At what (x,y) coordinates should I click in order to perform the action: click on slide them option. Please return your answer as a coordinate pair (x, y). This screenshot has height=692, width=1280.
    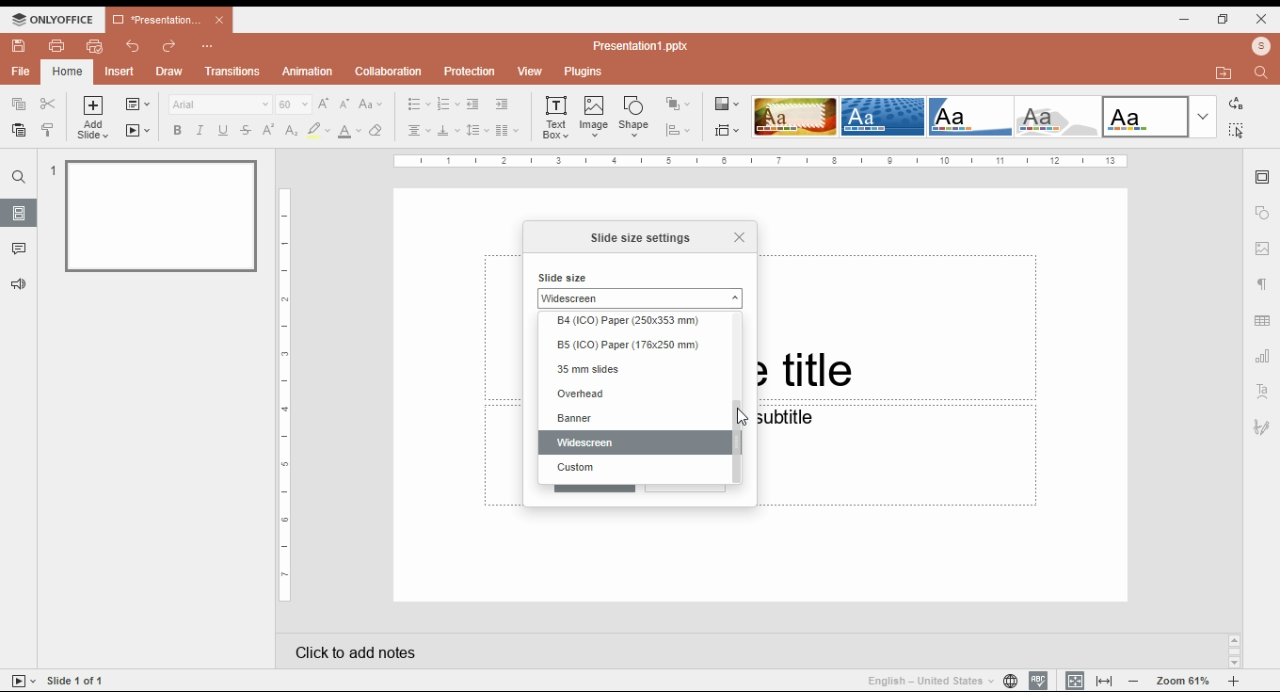
    Looking at the image, I should click on (1146, 116).